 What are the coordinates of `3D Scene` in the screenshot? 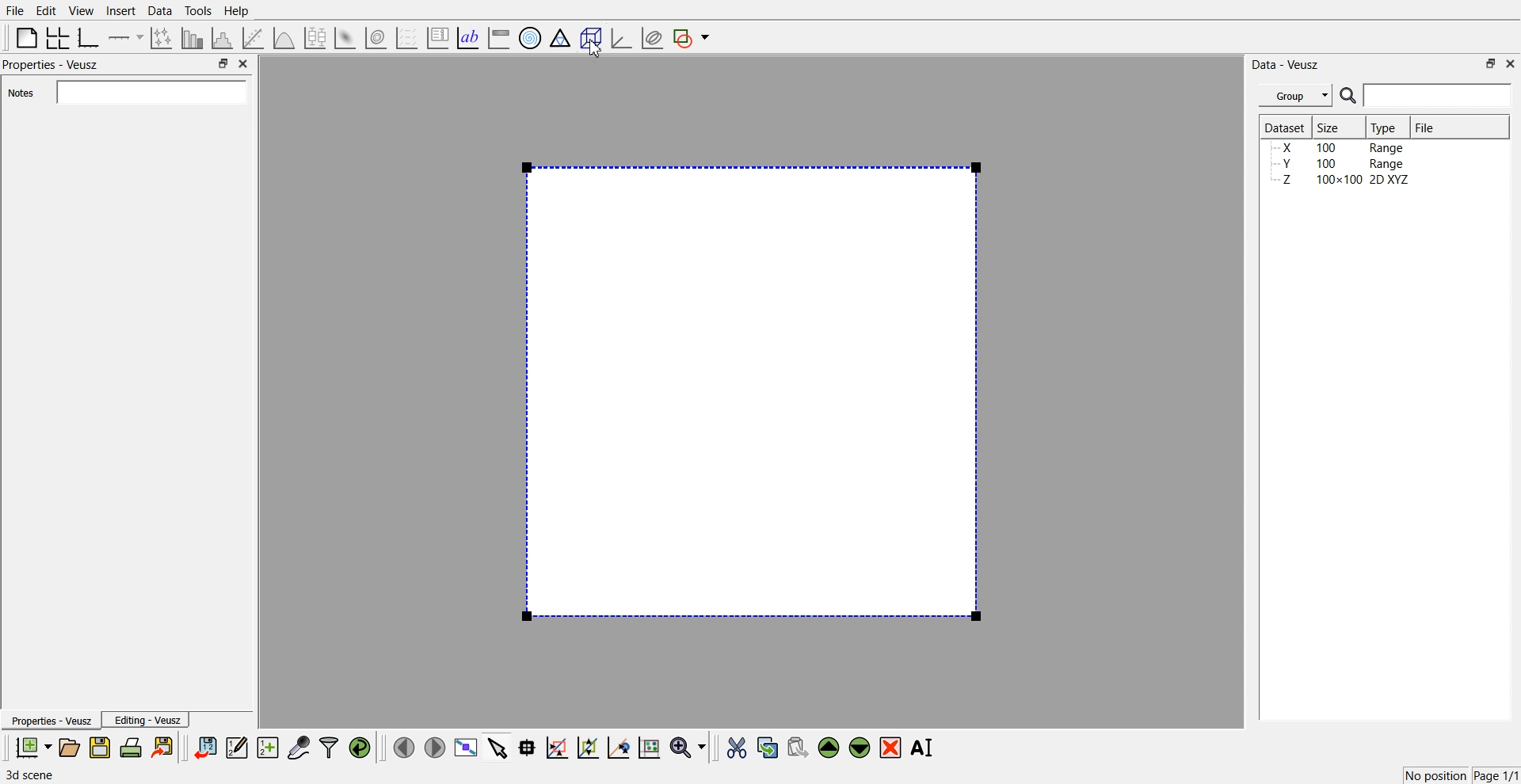 It's located at (592, 39).